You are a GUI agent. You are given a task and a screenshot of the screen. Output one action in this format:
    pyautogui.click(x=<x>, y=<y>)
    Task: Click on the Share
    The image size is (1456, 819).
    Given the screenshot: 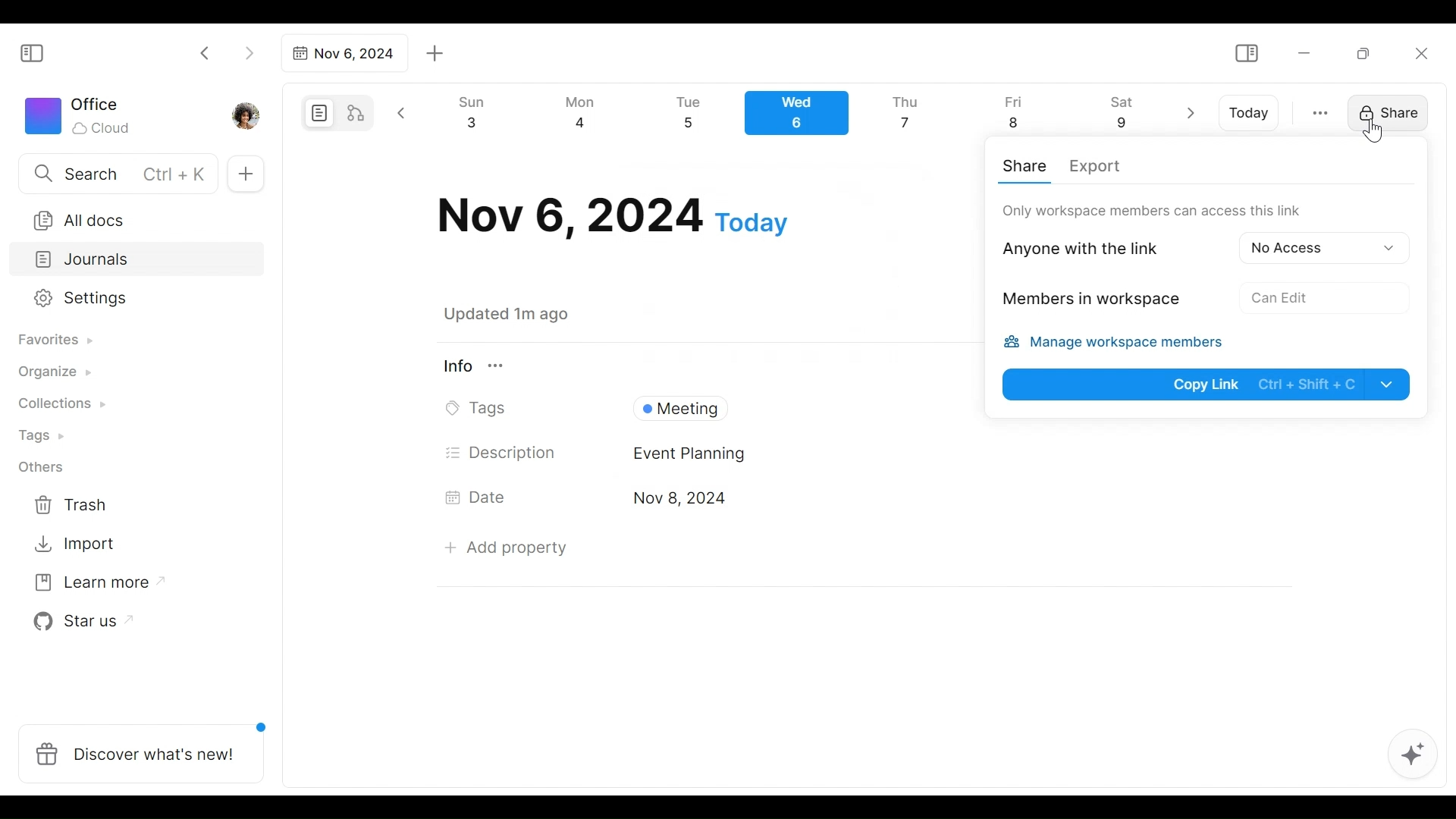 What is the action you would take?
    pyautogui.click(x=1028, y=165)
    